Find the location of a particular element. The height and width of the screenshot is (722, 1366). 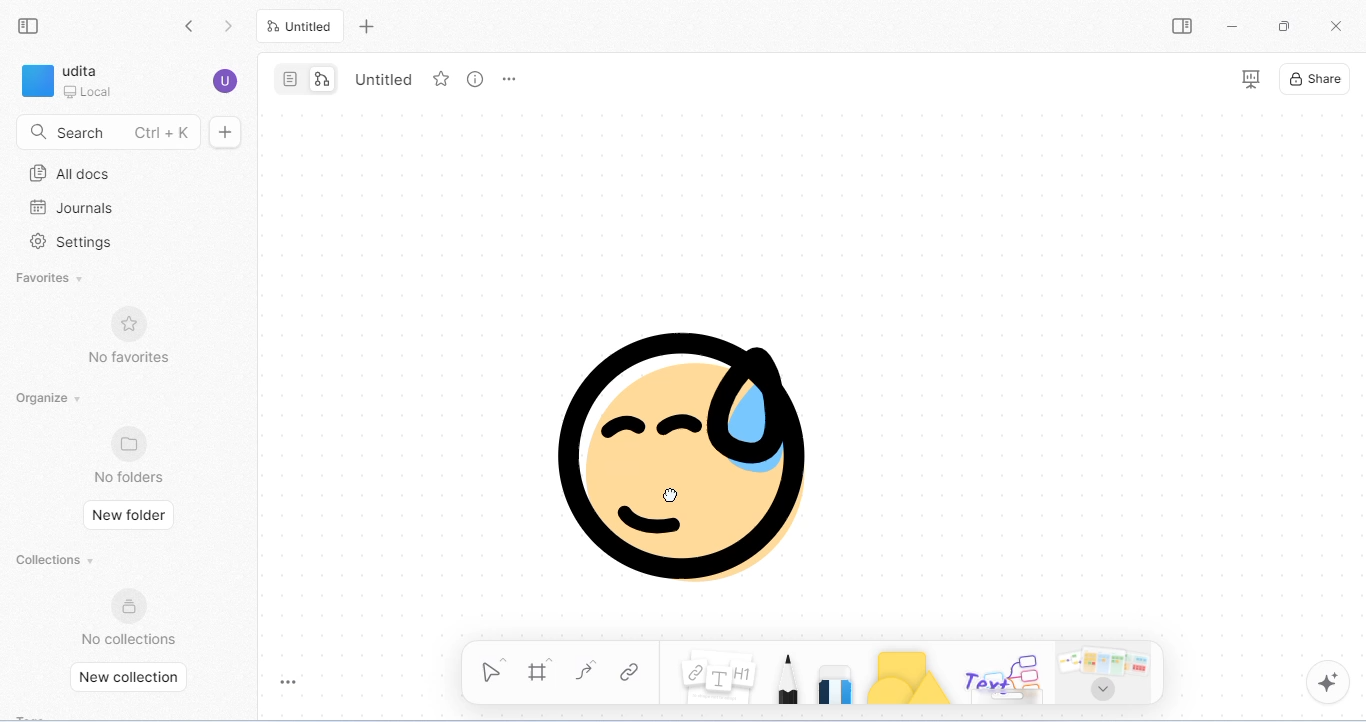

pencil is located at coordinates (788, 678).